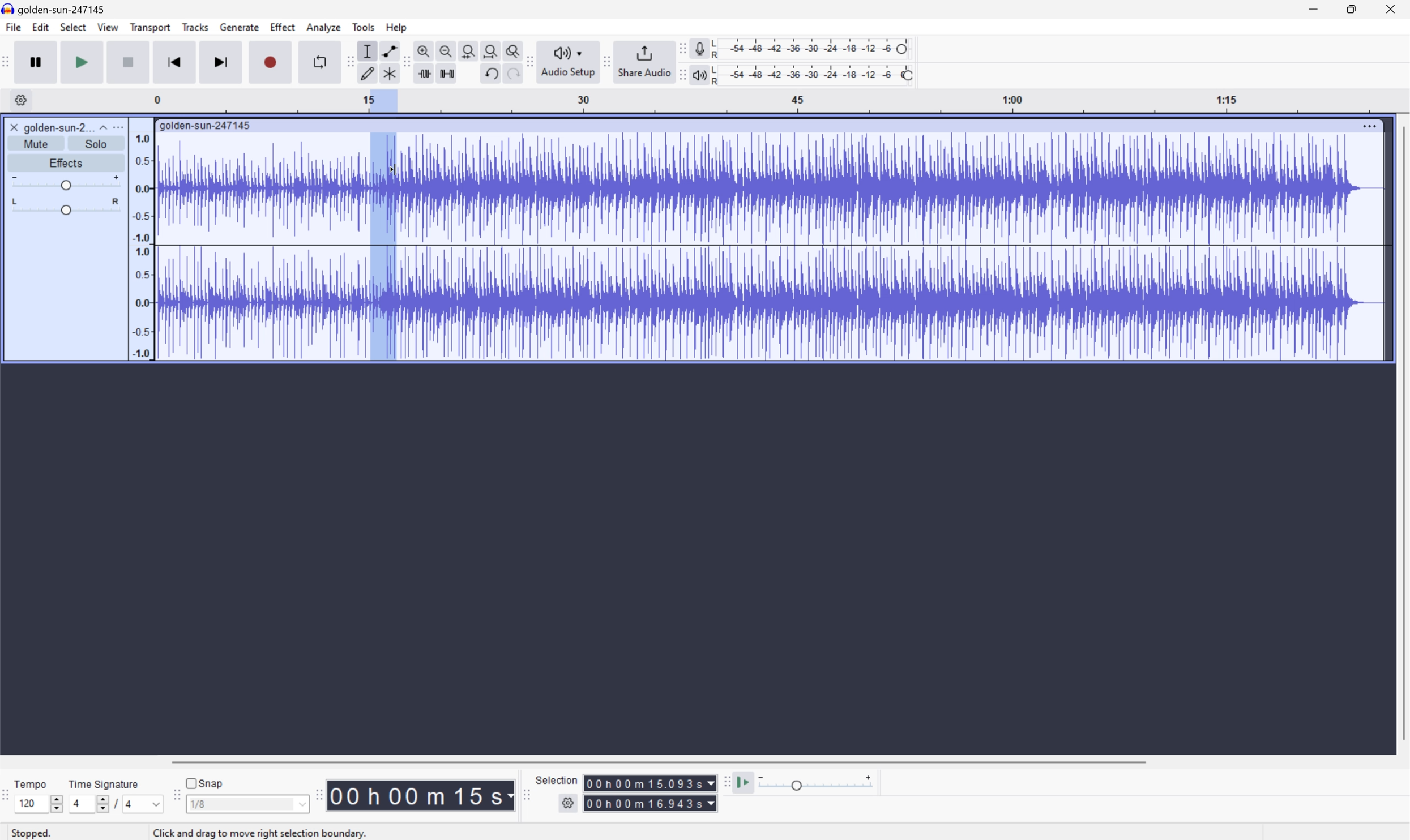 The width and height of the screenshot is (1410, 840). Describe the element at coordinates (366, 51) in the screenshot. I see `Selection tool` at that location.